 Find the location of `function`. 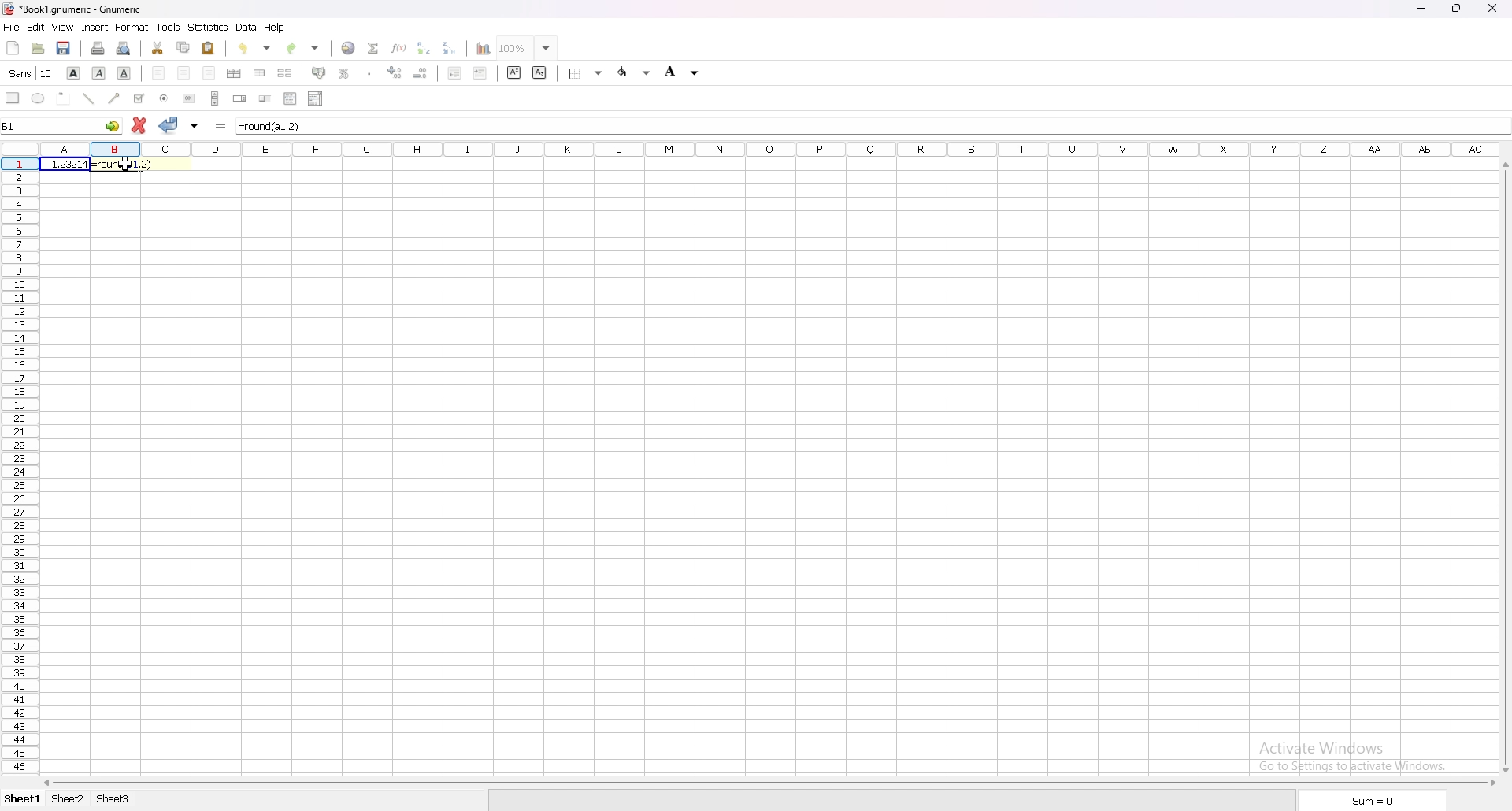

function is located at coordinates (399, 47).